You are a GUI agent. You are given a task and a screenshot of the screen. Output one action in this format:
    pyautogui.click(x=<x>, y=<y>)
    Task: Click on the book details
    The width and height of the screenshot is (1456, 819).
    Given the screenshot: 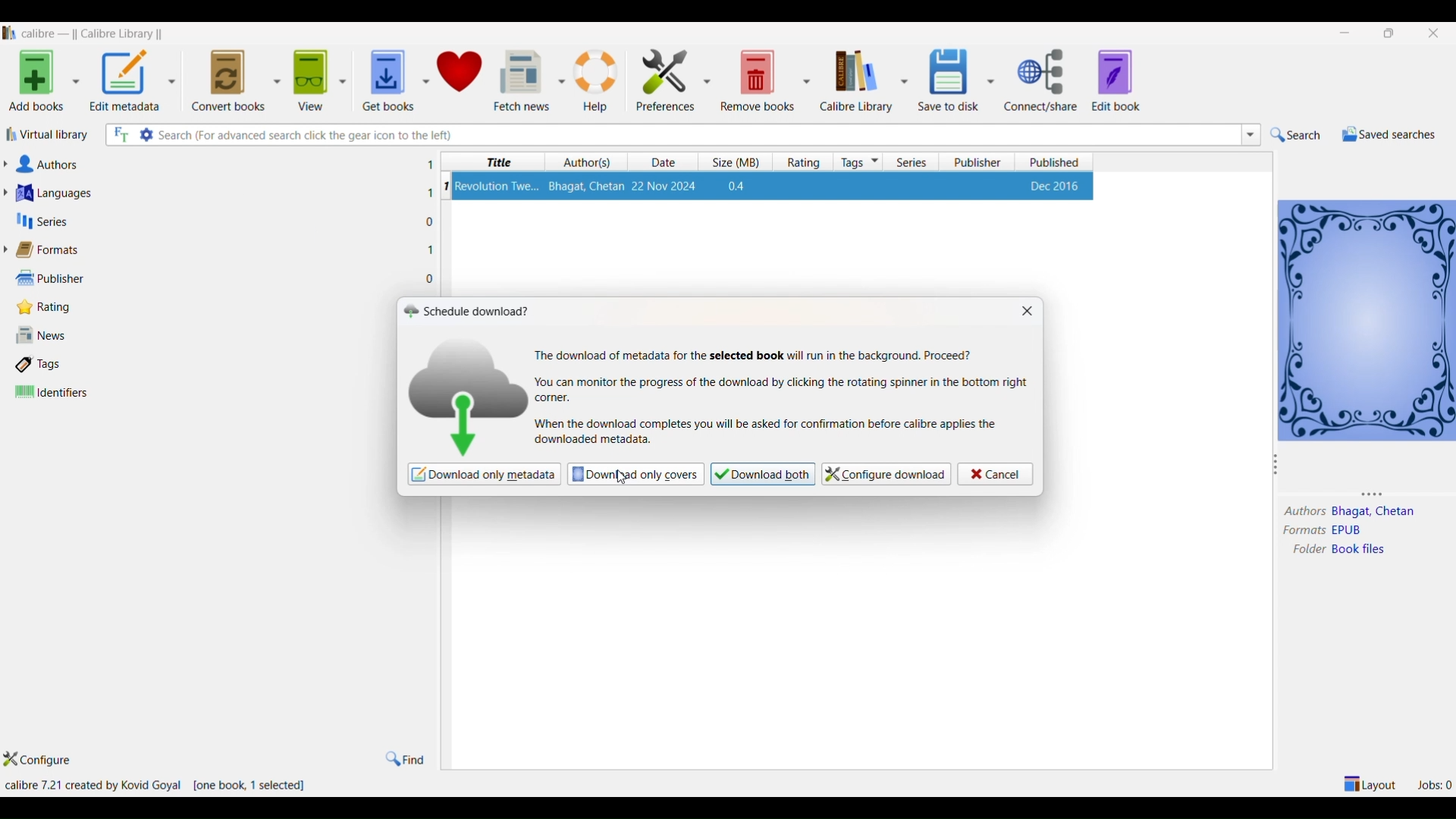 What is the action you would take?
    pyautogui.click(x=773, y=186)
    